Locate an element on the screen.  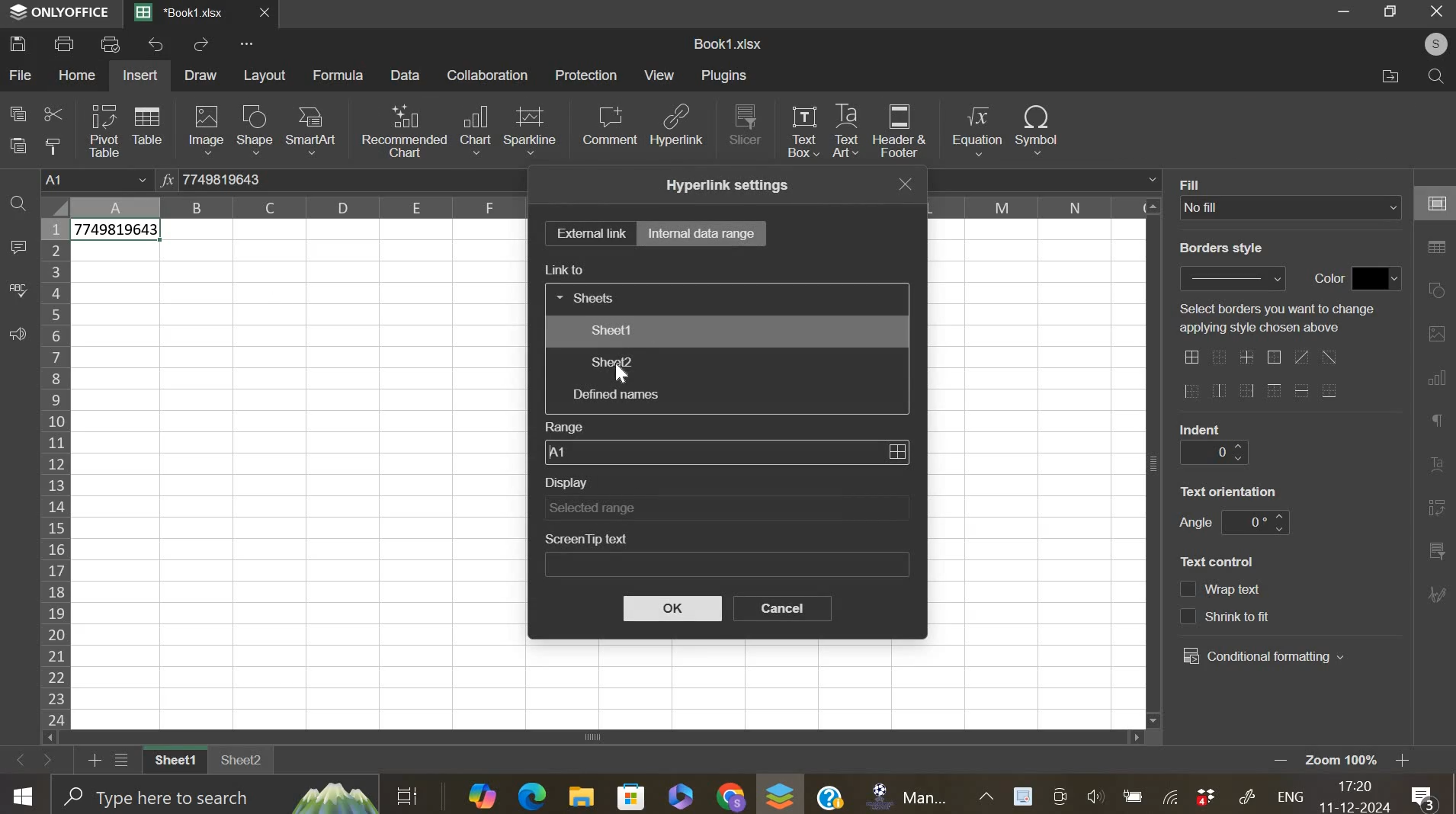
sheet 2 is located at coordinates (242, 765).